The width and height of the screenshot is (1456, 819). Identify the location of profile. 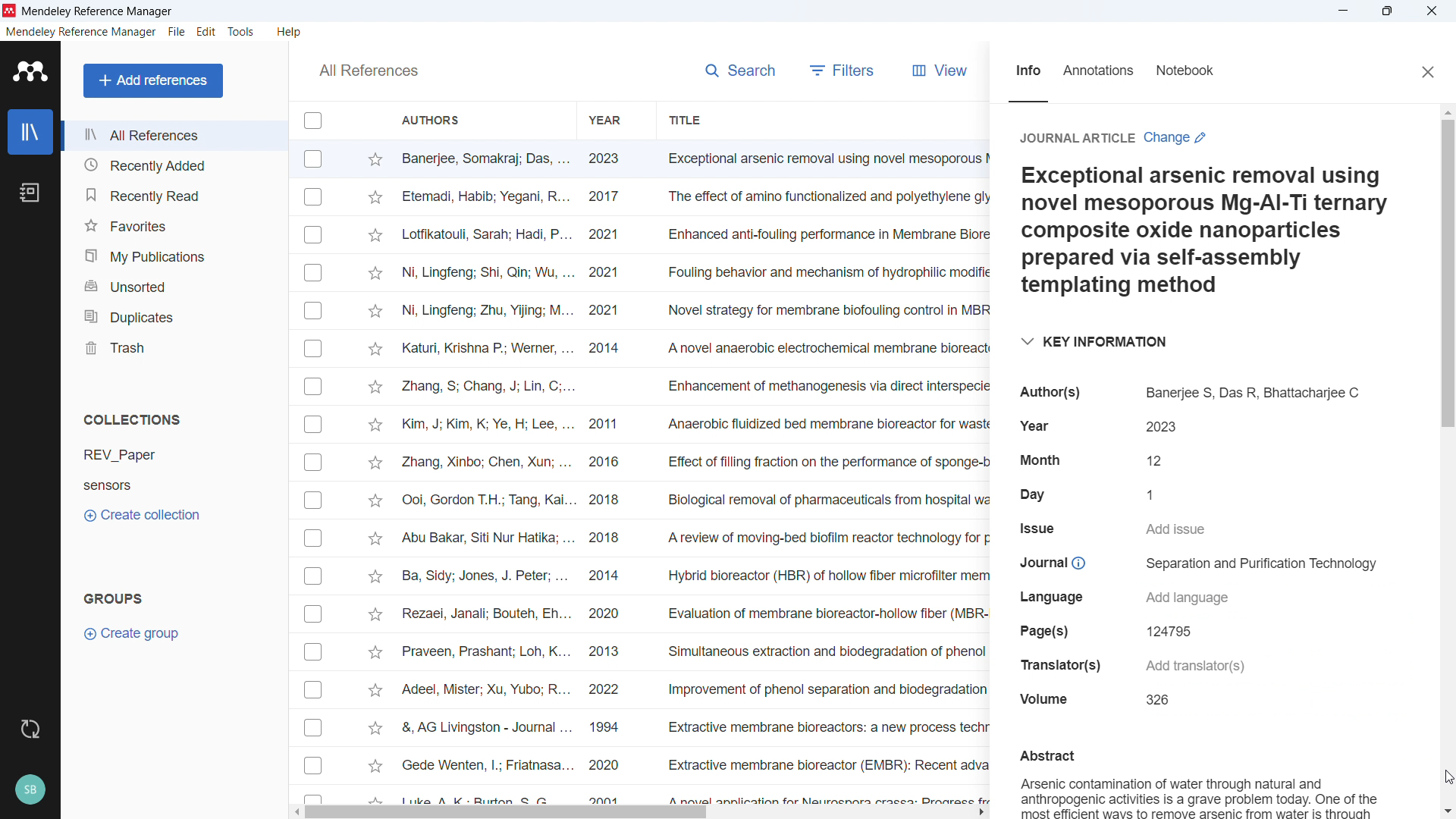
(30, 791).